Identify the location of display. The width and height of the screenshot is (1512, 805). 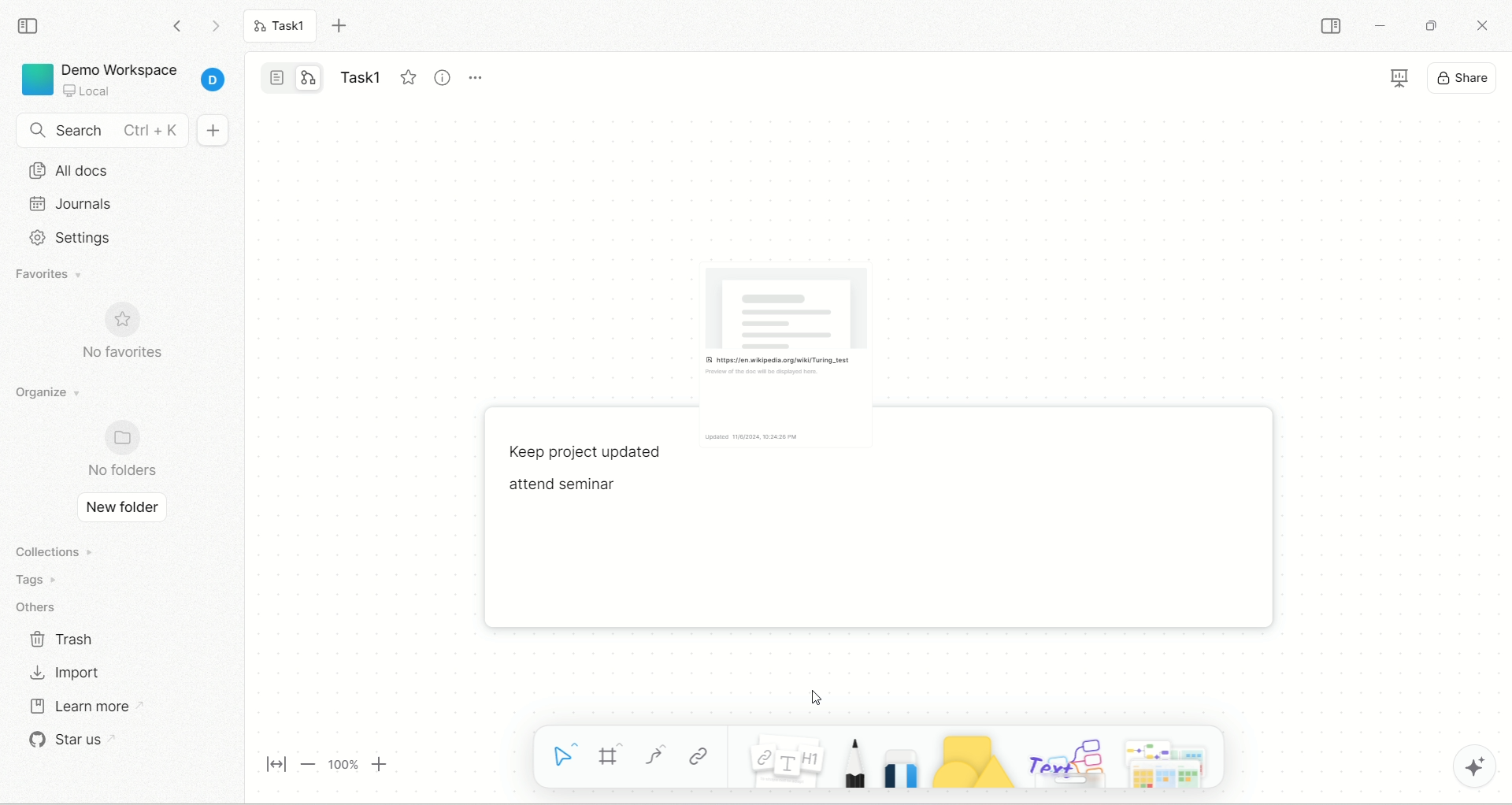
(1400, 77).